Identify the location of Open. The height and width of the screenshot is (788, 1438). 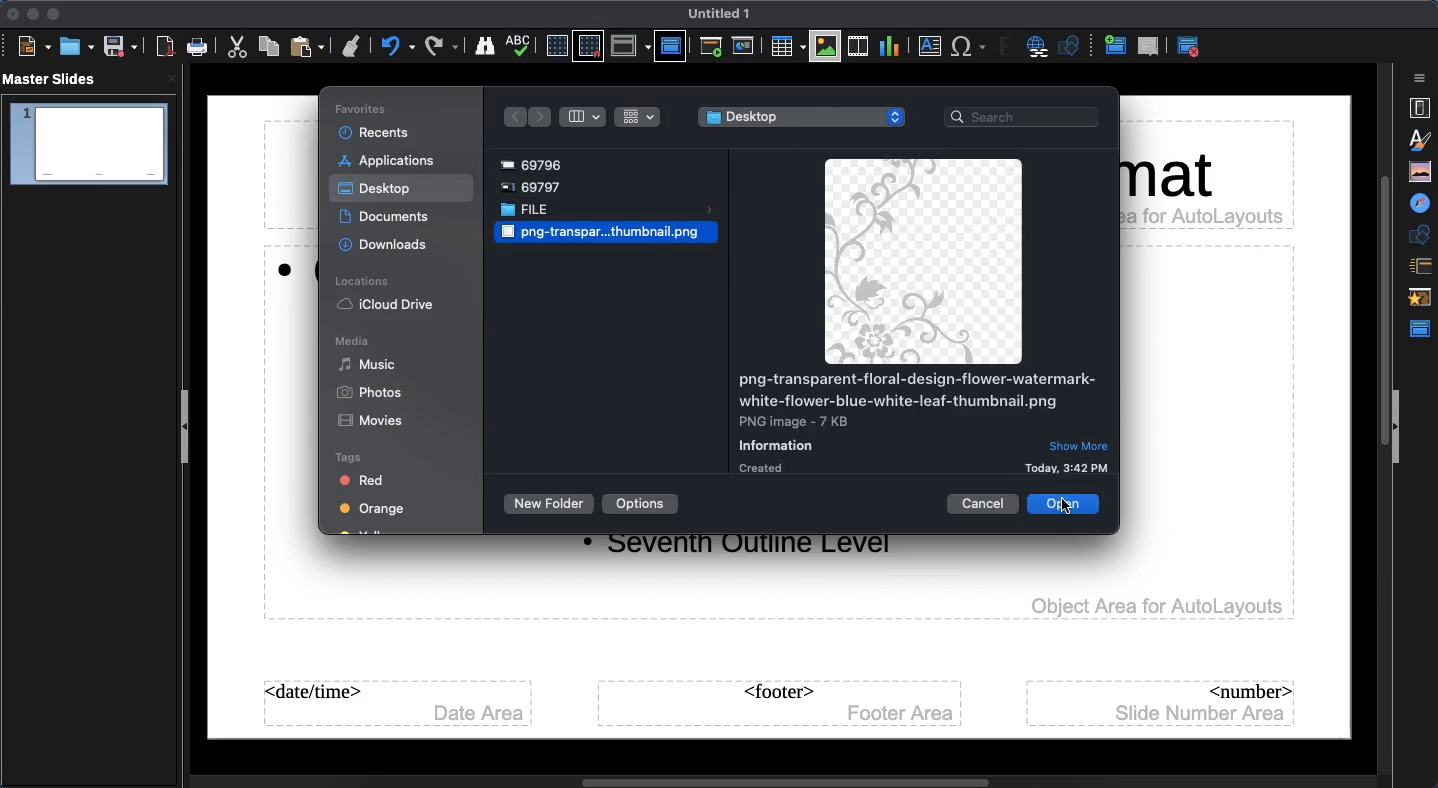
(75, 46).